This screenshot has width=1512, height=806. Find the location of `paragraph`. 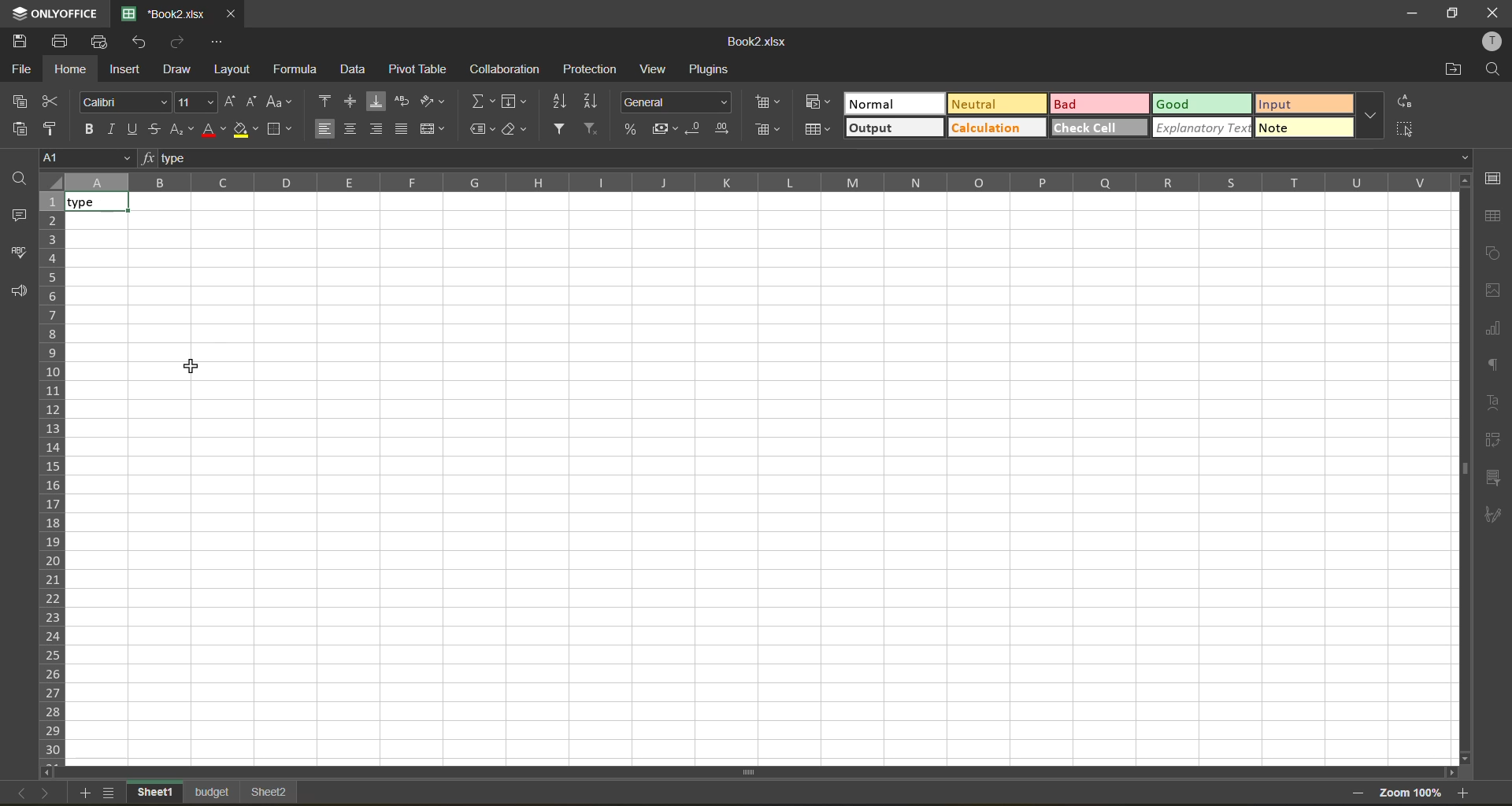

paragraph is located at coordinates (1494, 365).